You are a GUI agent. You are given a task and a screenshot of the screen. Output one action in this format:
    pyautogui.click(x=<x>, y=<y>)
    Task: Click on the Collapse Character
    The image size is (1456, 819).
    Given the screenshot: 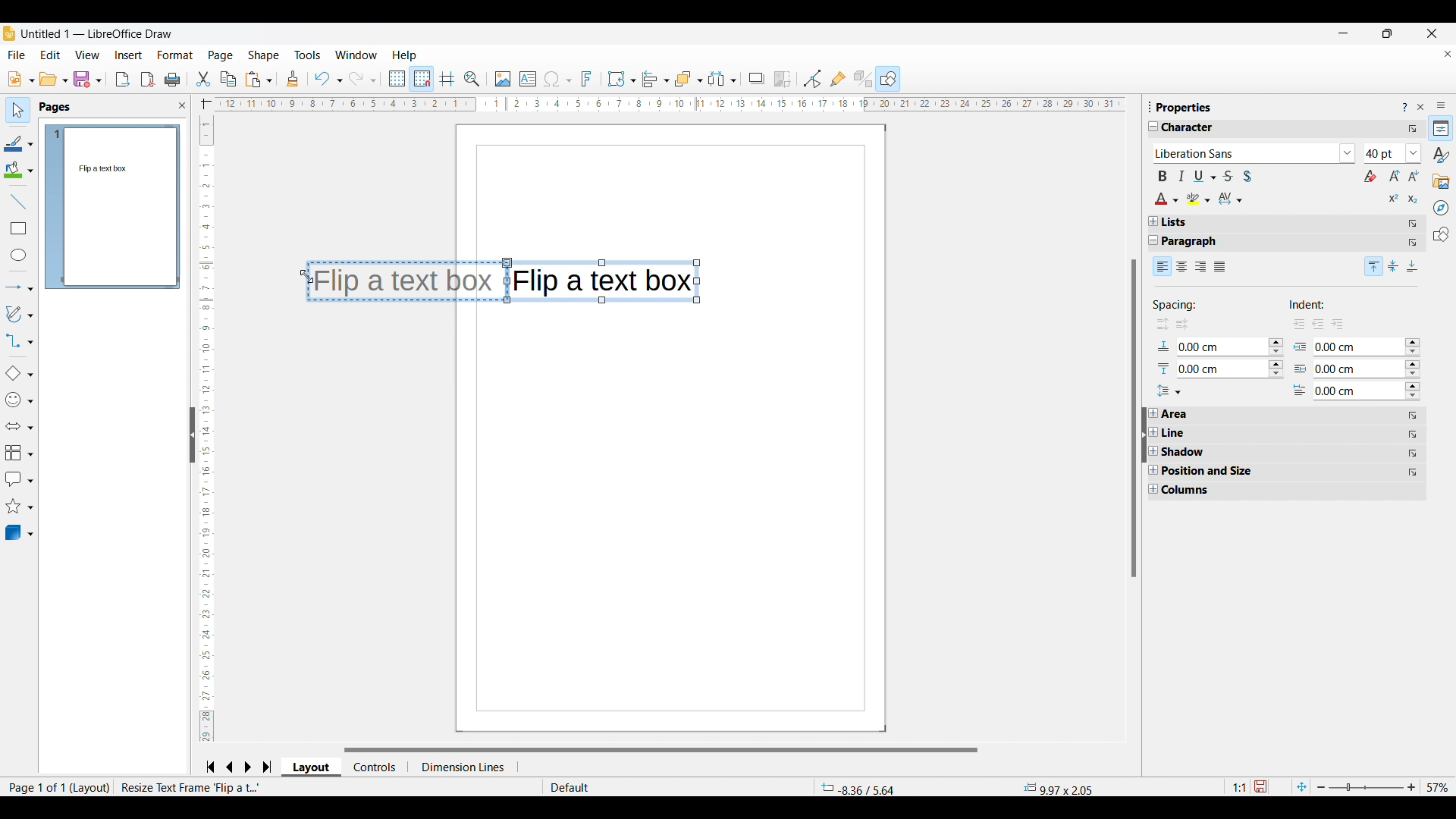 What is the action you would take?
    pyautogui.click(x=1154, y=126)
    